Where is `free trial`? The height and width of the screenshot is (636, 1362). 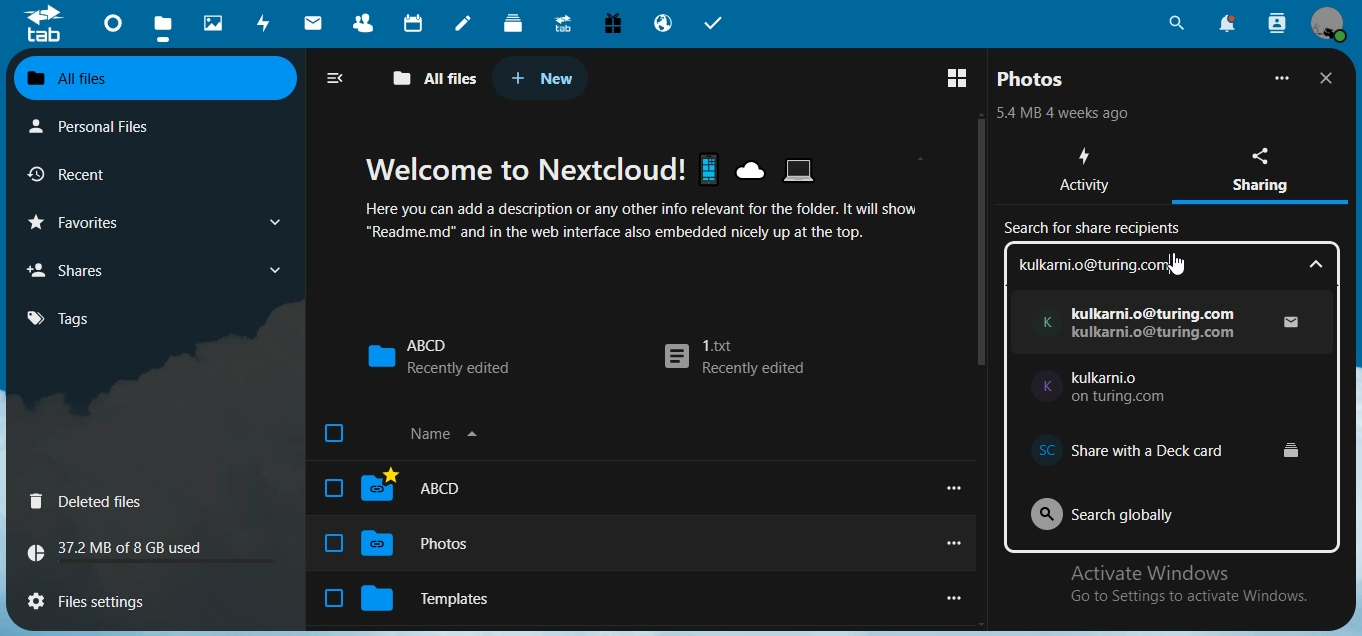
free trial is located at coordinates (613, 24).